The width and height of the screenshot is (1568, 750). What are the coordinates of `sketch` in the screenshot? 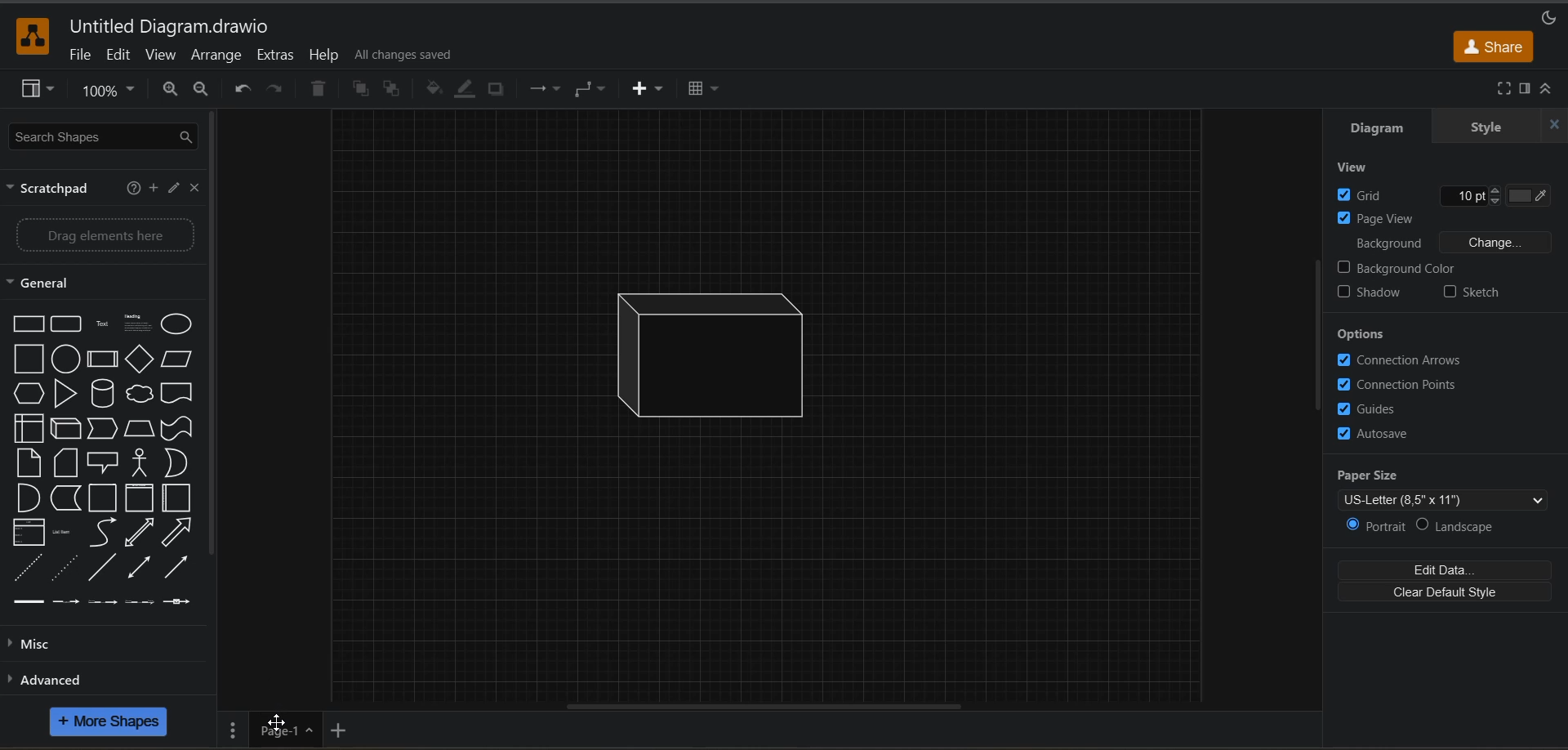 It's located at (1470, 292).